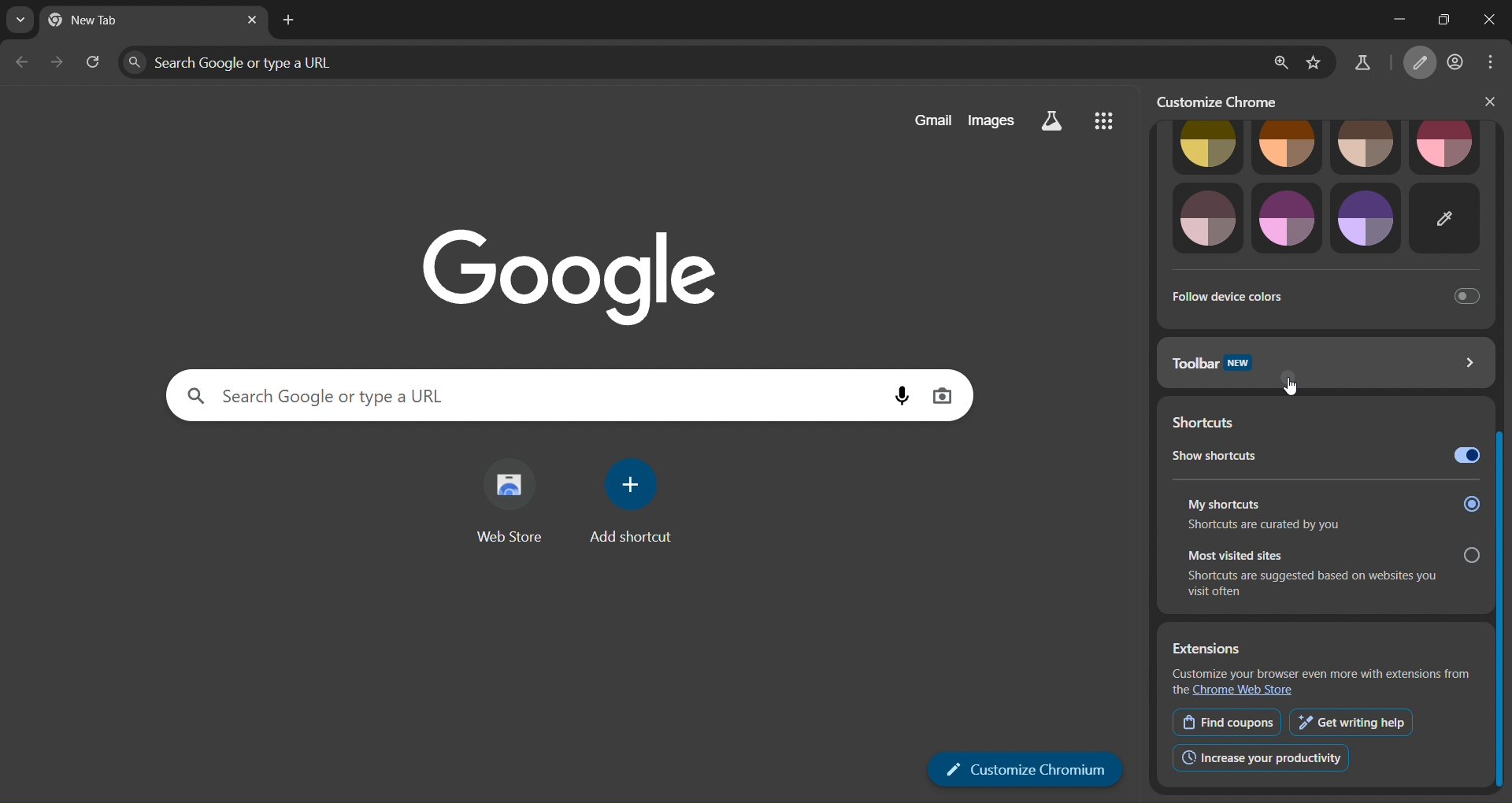 This screenshot has width=1512, height=803. What do you see at coordinates (634, 501) in the screenshot?
I see `add shortcut` at bounding box center [634, 501].